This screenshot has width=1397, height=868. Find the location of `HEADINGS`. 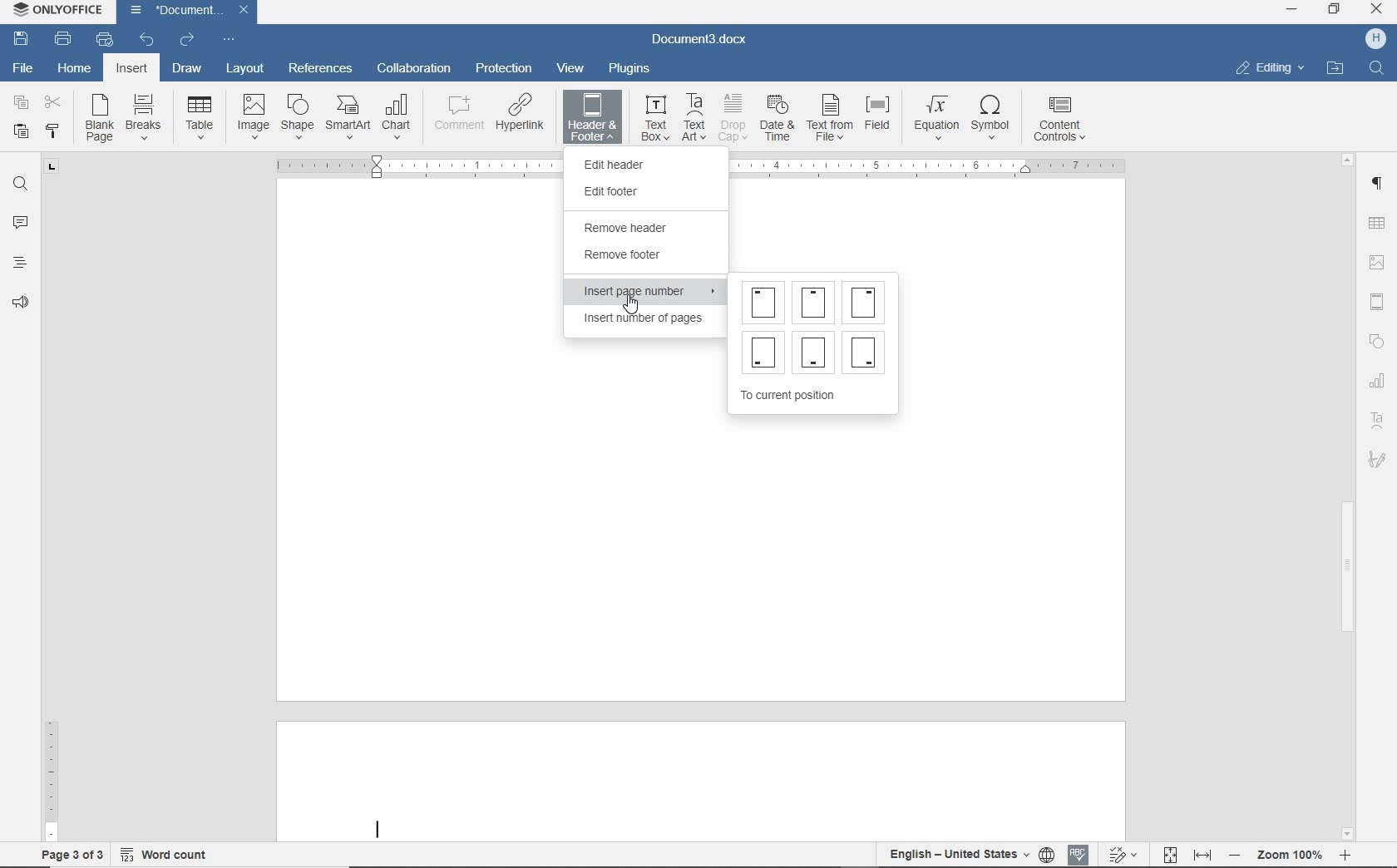

HEADINGS is located at coordinates (17, 264).